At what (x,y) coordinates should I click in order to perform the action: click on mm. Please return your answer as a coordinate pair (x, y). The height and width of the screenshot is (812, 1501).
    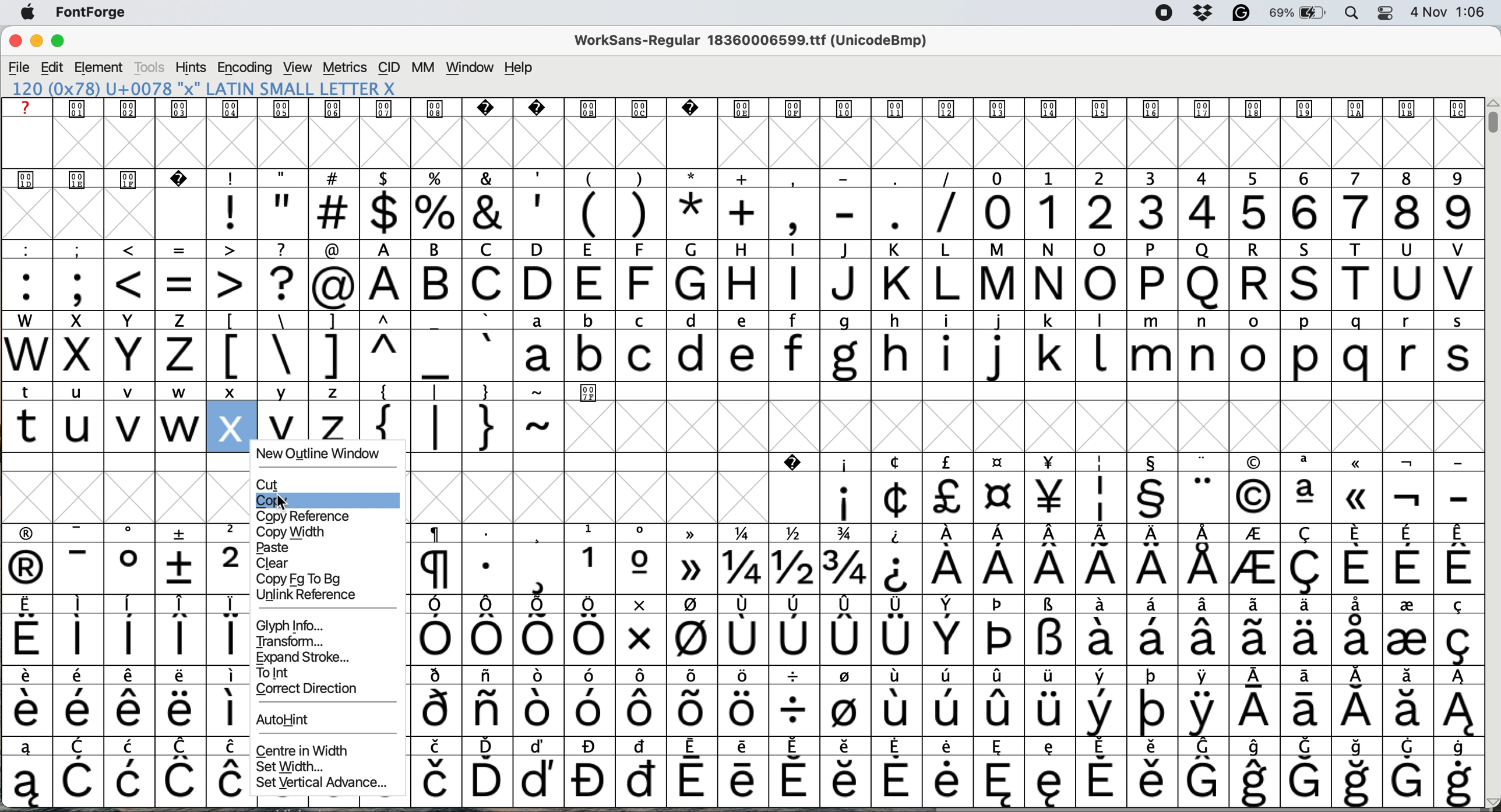
    Looking at the image, I should click on (422, 68).